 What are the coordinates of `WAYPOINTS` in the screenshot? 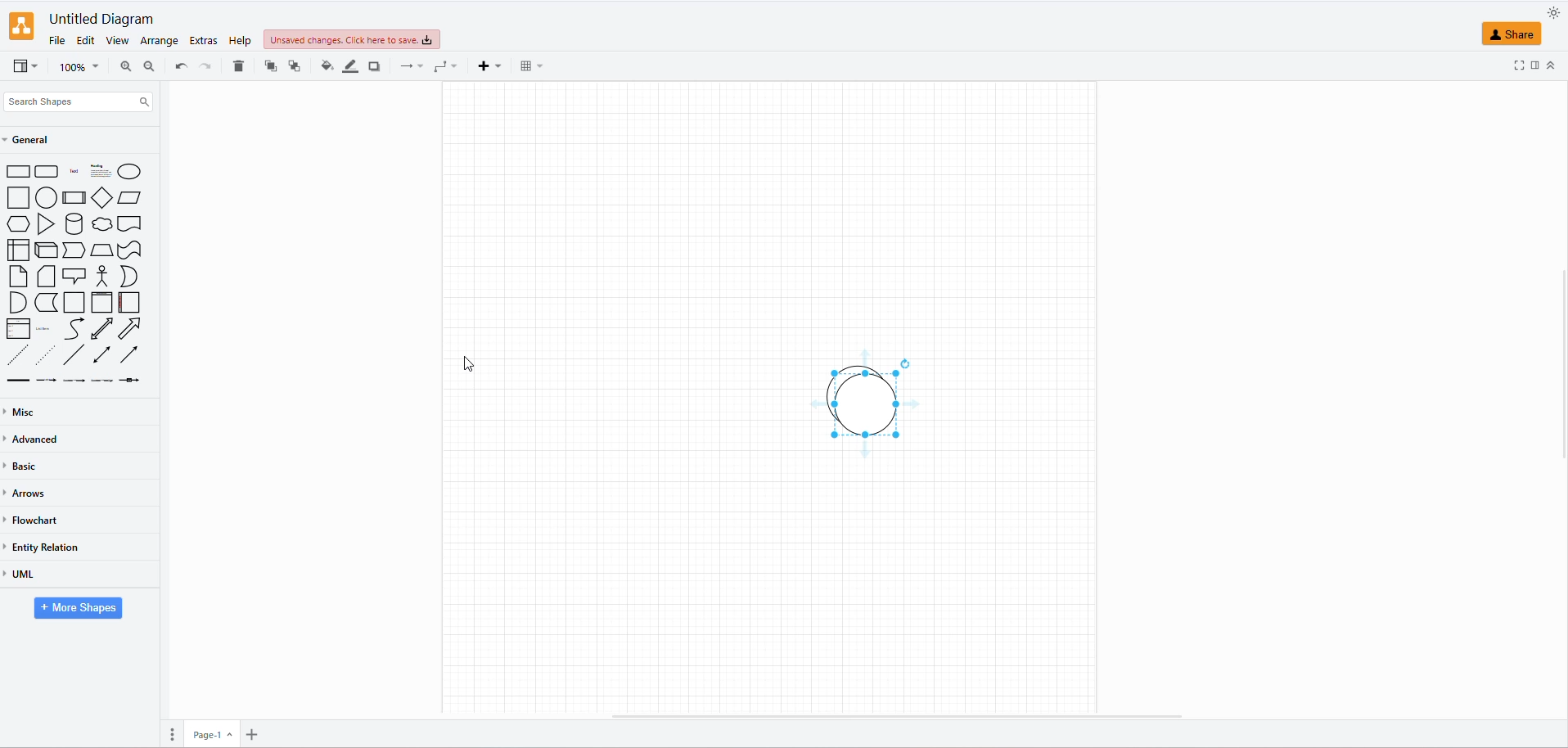 It's located at (442, 70).